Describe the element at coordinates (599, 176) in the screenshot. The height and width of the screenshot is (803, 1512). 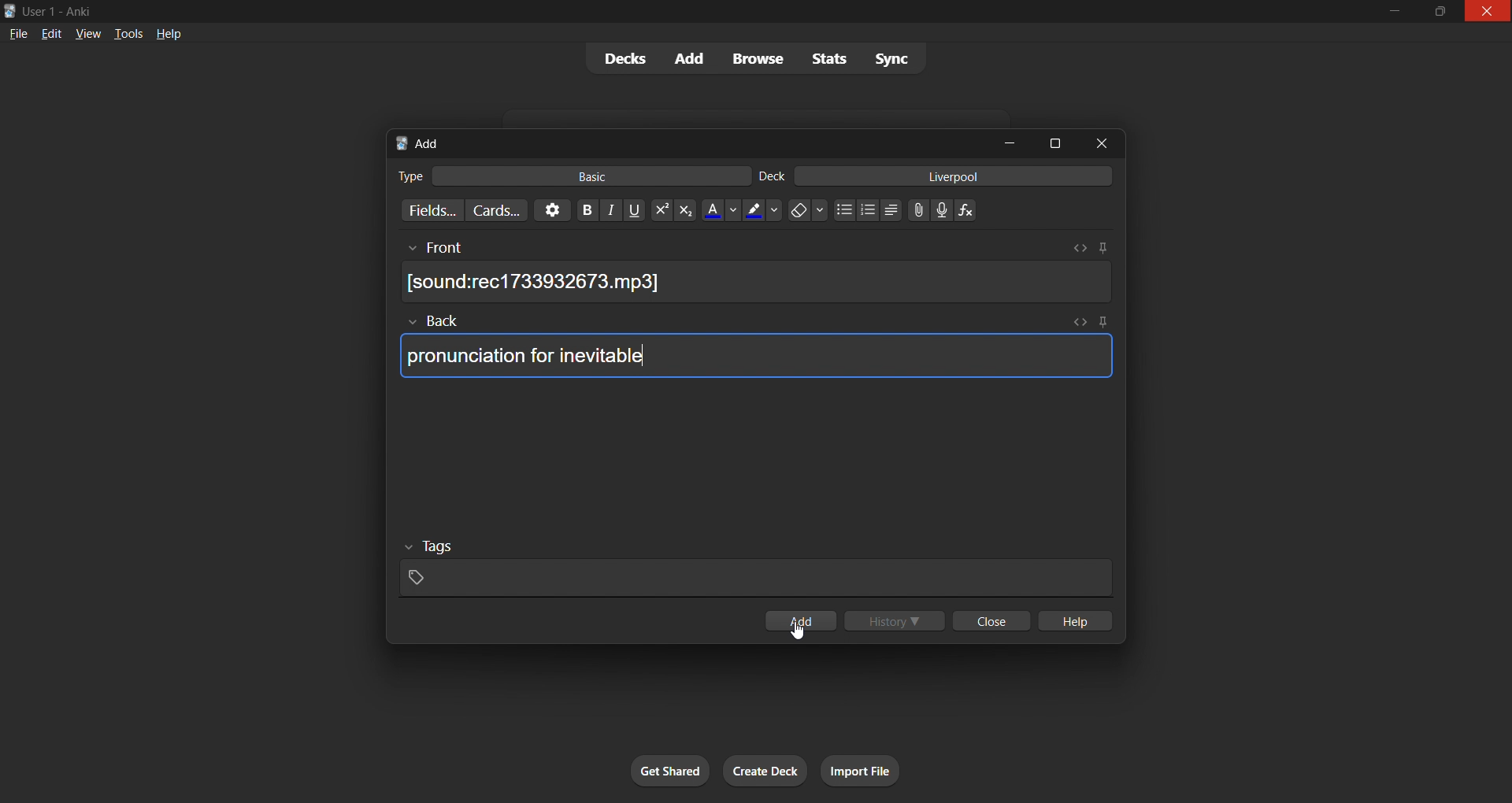
I see `basic card type` at that location.